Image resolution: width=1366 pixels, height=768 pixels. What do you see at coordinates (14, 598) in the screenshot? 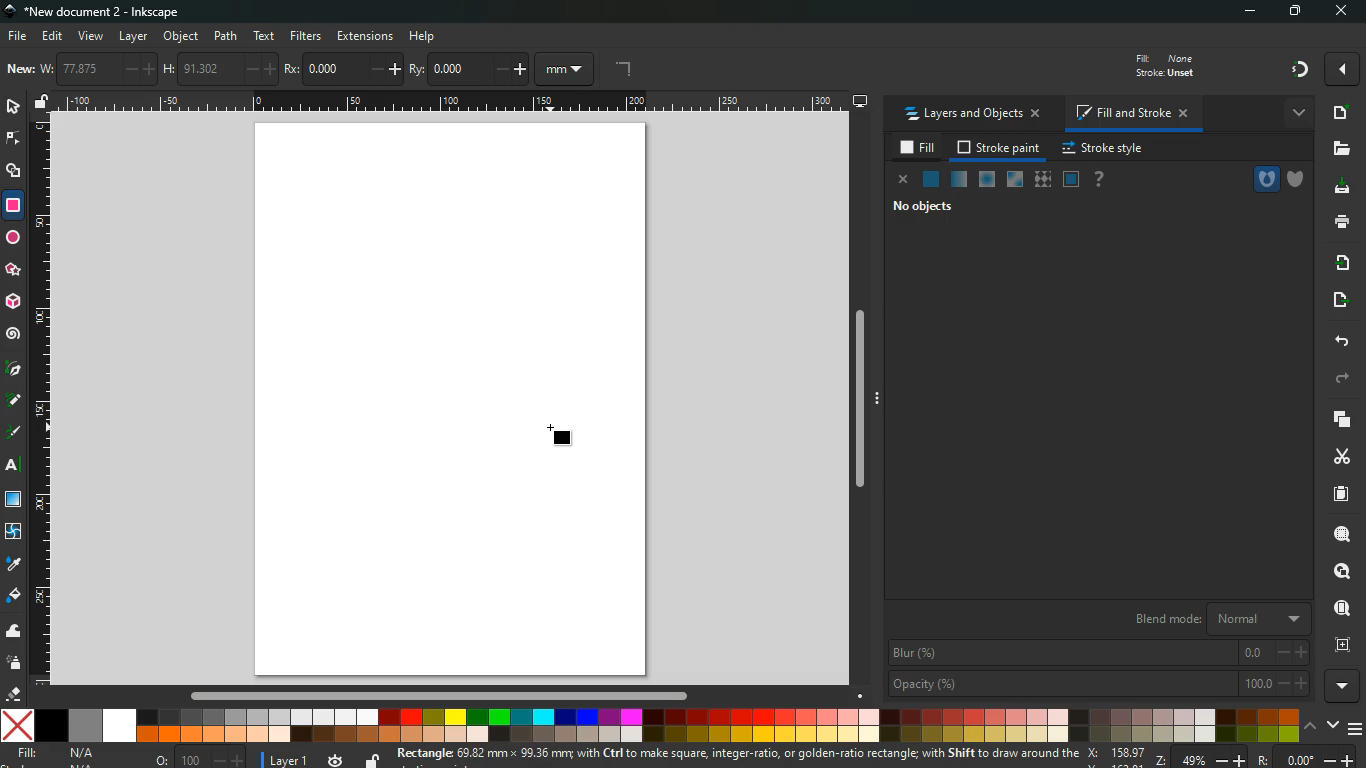
I see `fill` at bounding box center [14, 598].